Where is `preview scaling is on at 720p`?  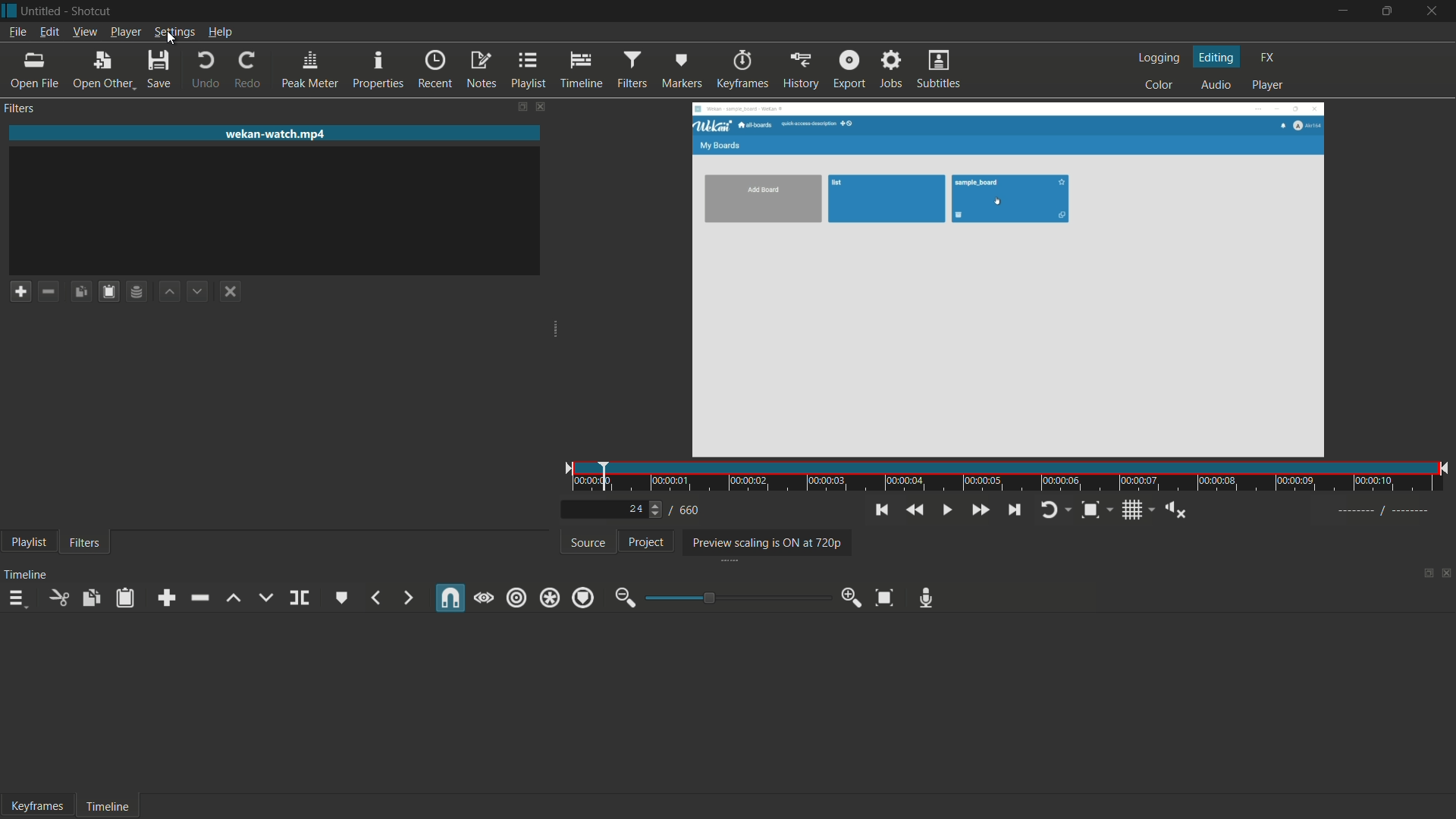
preview scaling is on at 720p is located at coordinates (764, 542).